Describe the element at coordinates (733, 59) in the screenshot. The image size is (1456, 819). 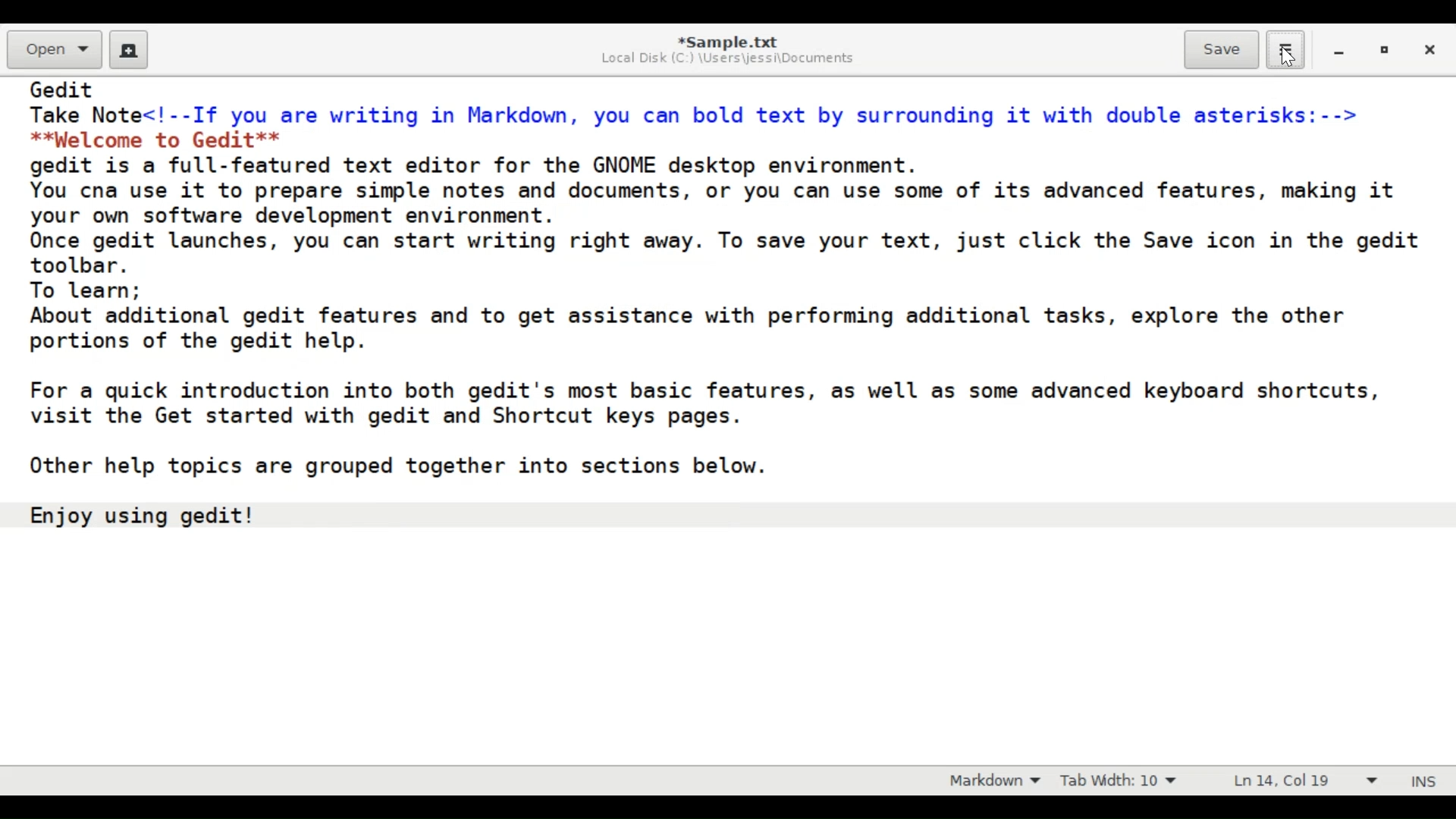
I see `Local Disk (C:) \Users\jessi\Documents` at that location.